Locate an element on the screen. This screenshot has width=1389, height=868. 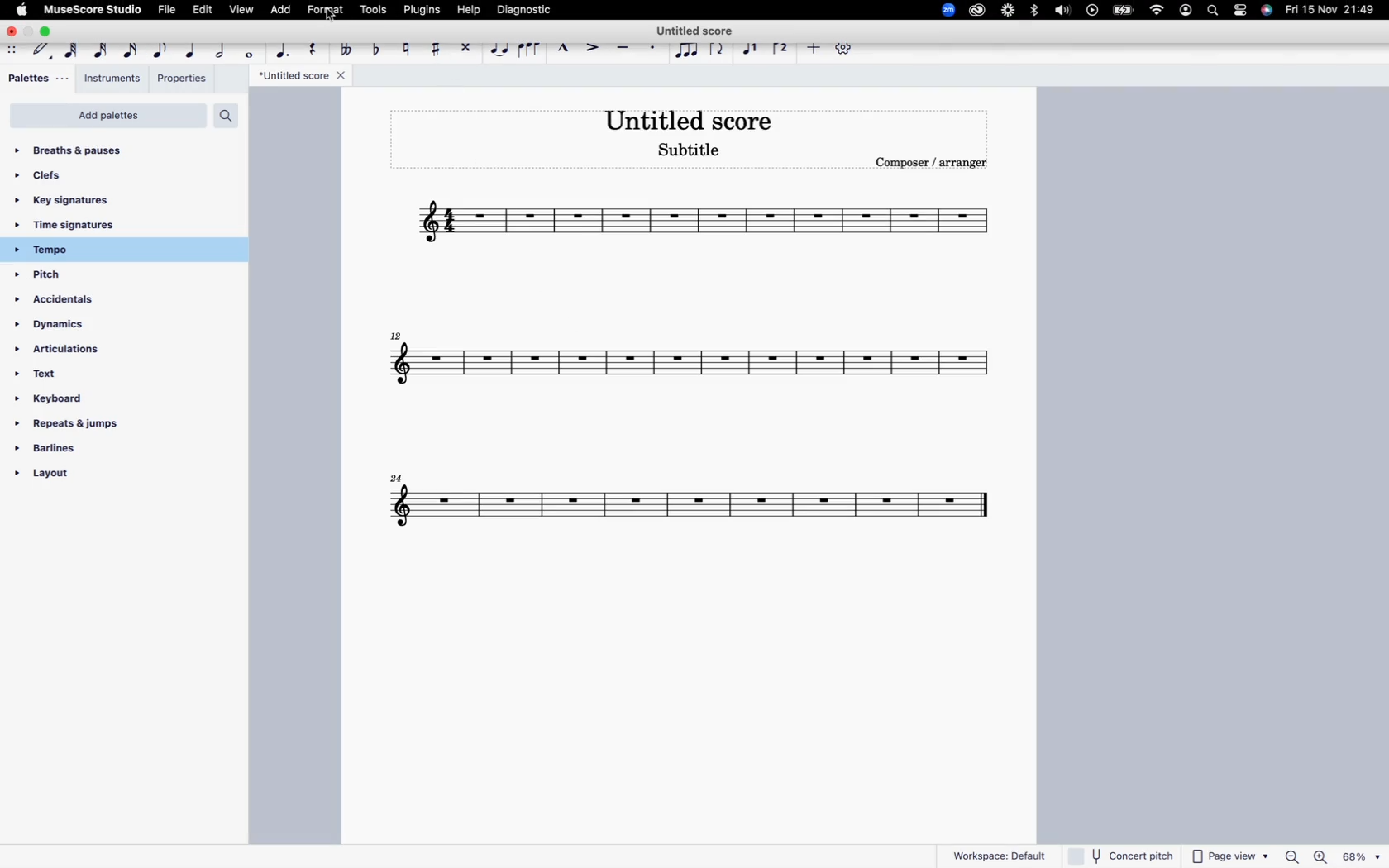
double toggle flat is located at coordinates (349, 48).